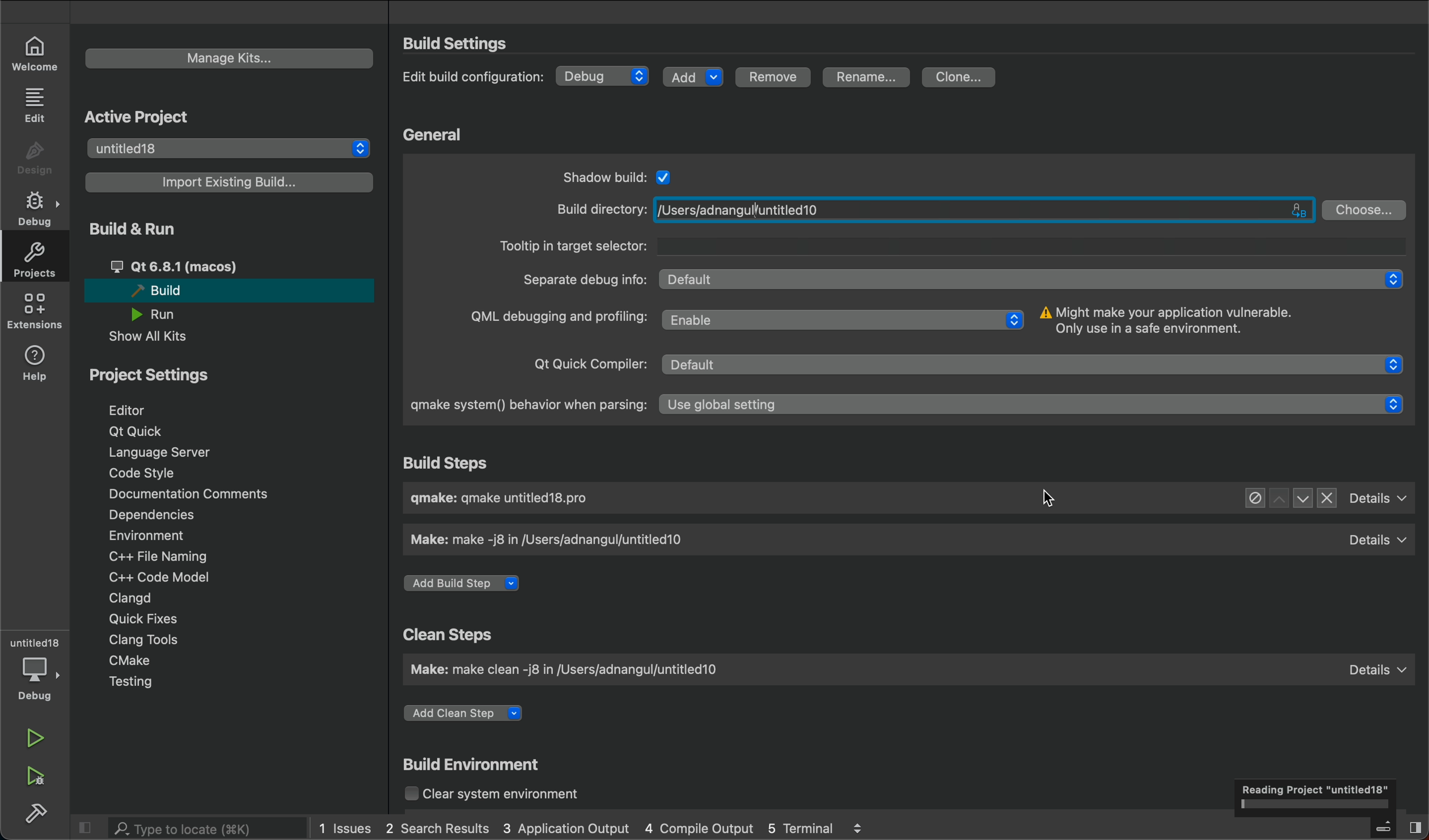  Describe the element at coordinates (445, 633) in the screenshot. I see `clean steps` at that location.